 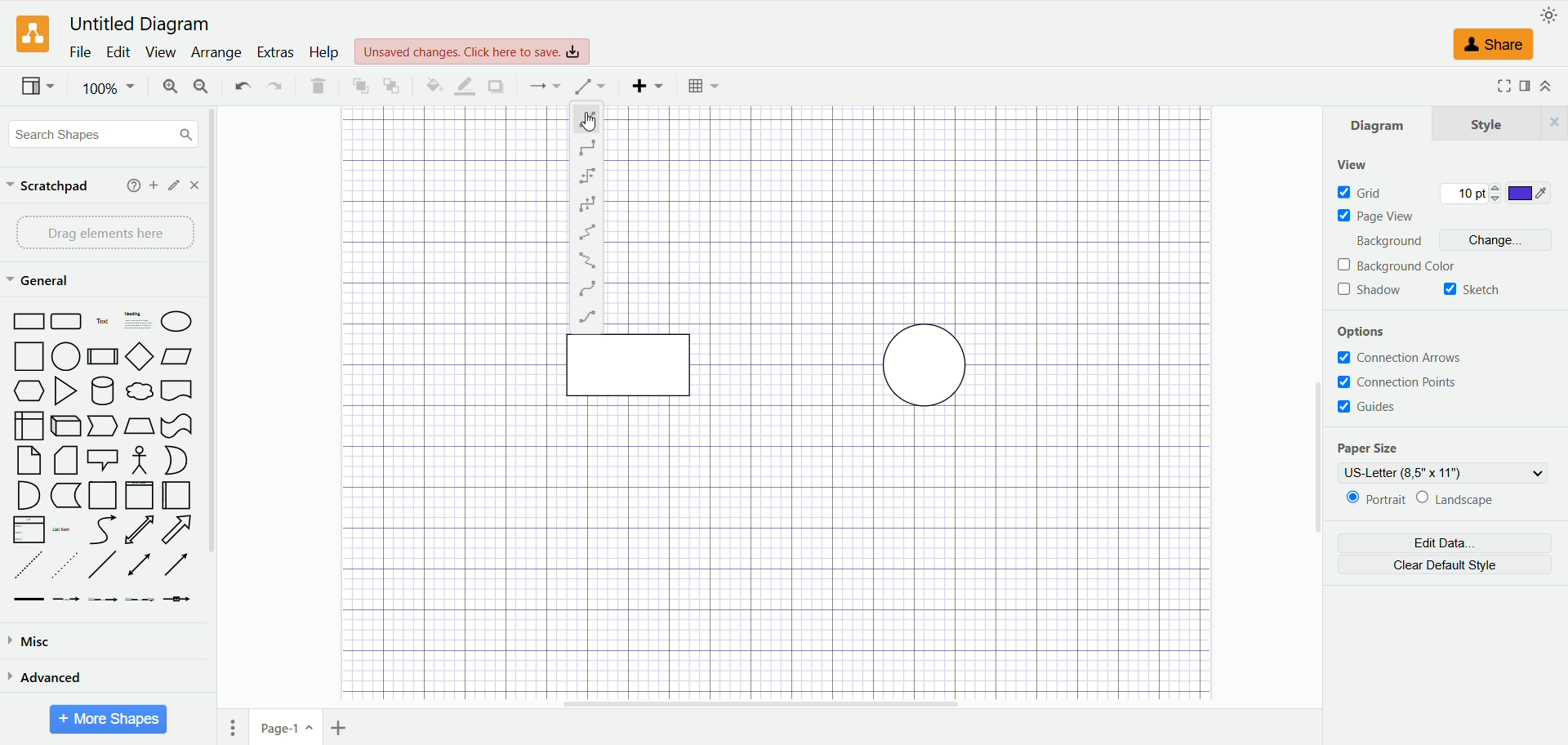 What do you see at coordinates (140, 25) in the screenshot?
I see `Untitled Diagram` at bounding box center [140, 25].